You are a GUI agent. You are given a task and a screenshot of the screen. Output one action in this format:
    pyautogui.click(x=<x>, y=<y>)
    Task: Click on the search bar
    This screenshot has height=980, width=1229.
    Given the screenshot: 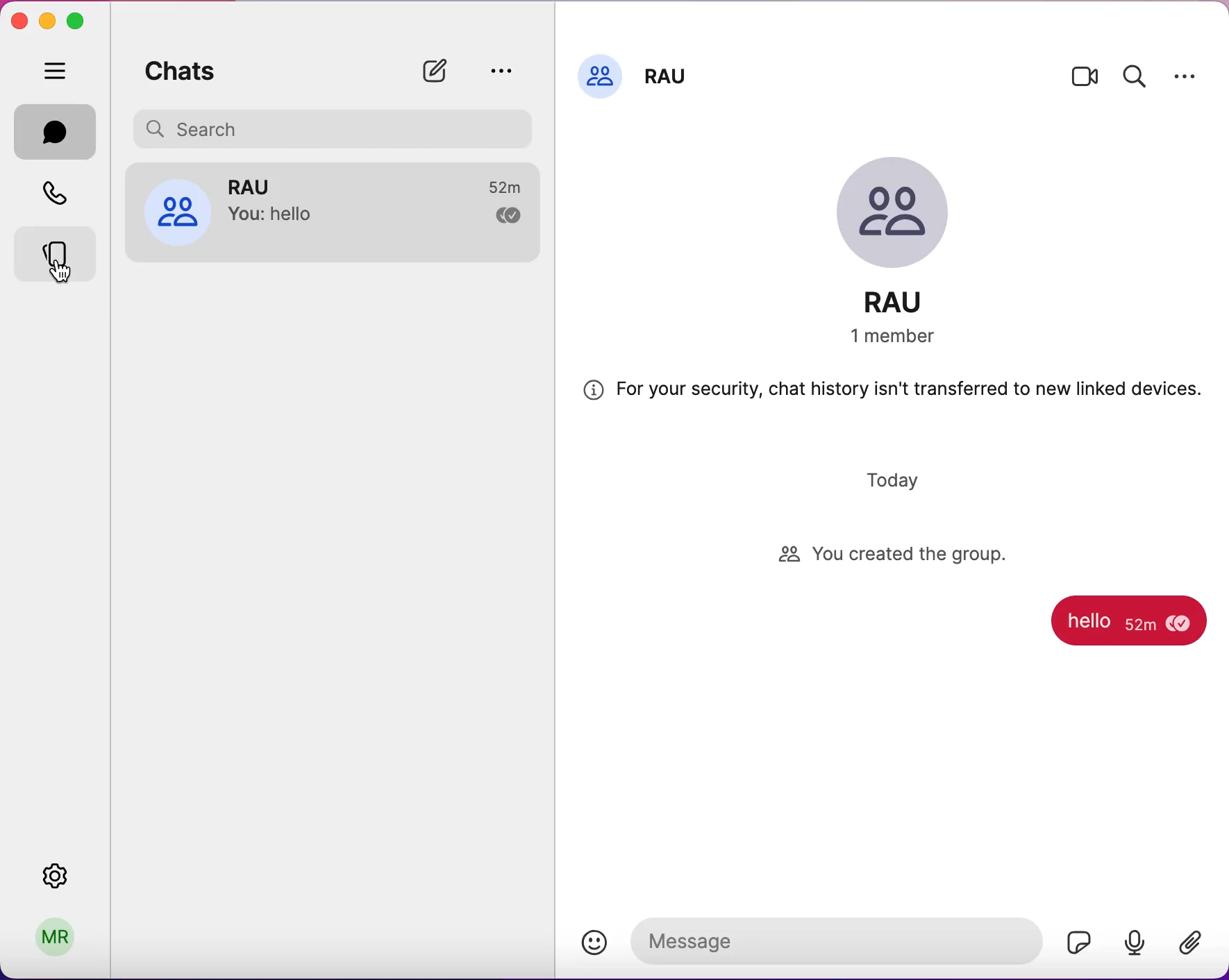 What is the action you would take?
    pyautogui.click(x=328, y=128)
    